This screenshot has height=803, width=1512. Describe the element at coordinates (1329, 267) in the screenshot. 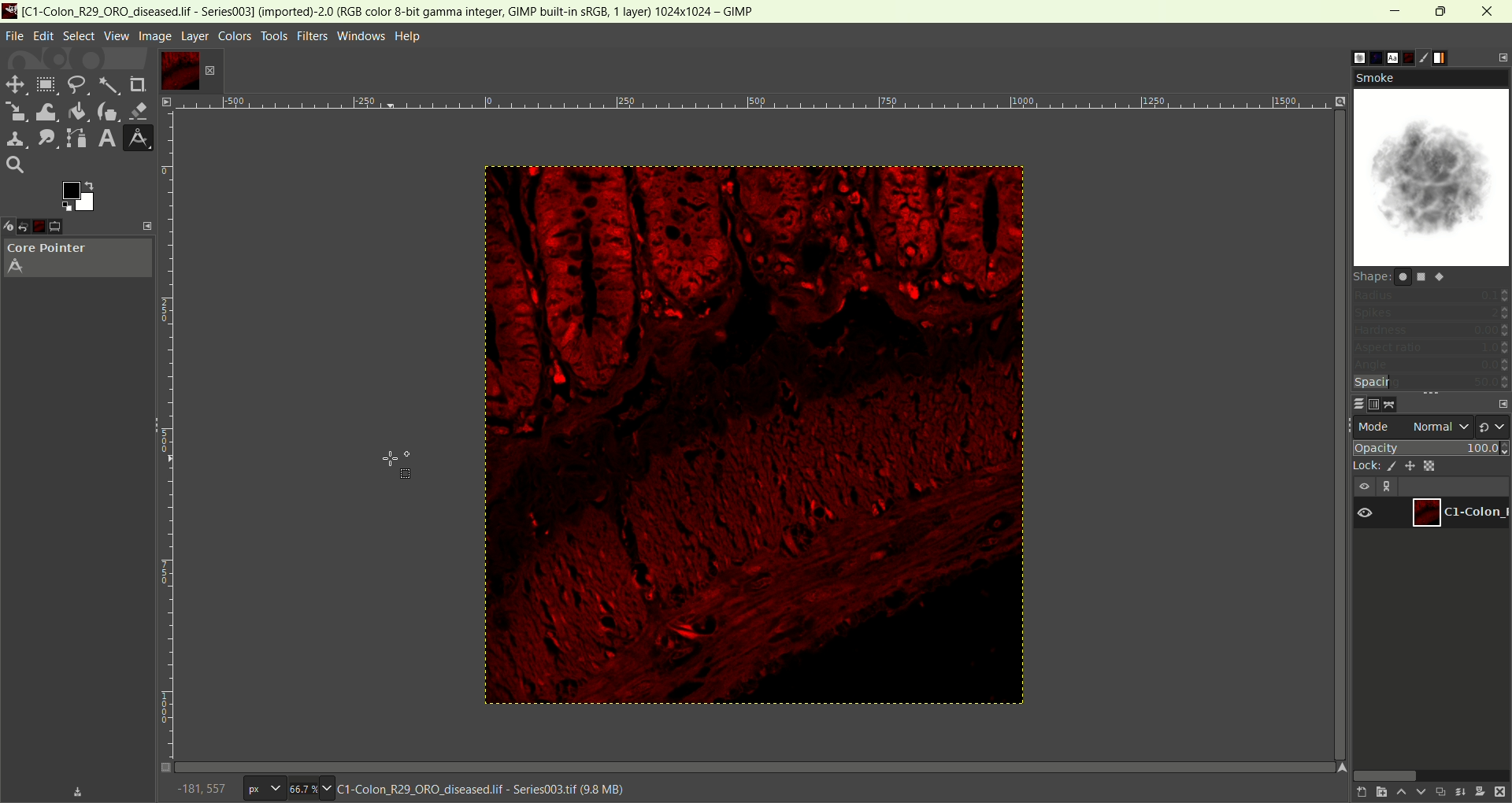

I see `vertical scroll bar` at that location.